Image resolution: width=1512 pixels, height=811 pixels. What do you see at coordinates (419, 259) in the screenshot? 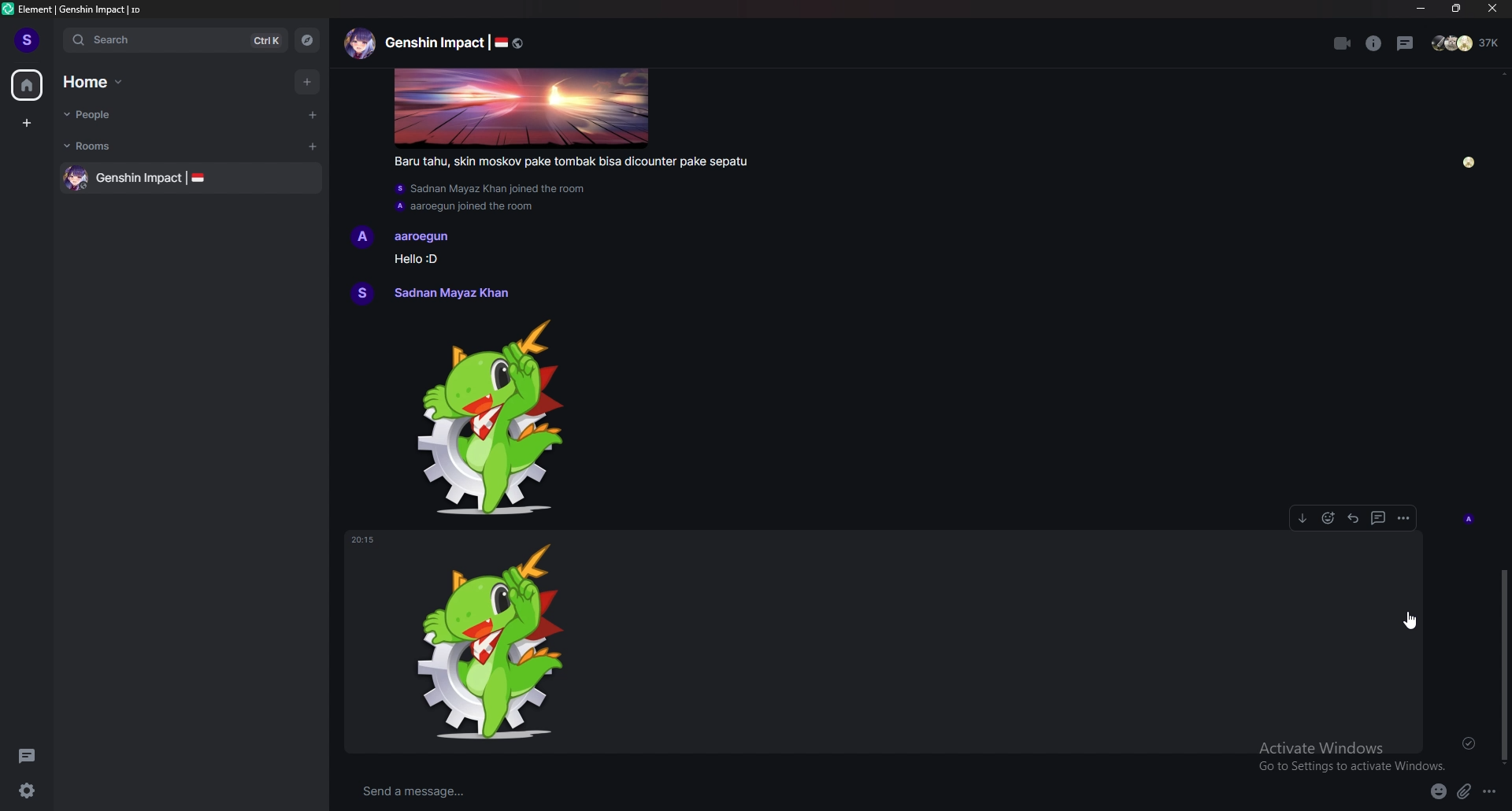
I see `Hello :D` at bounding box center [419, 259].